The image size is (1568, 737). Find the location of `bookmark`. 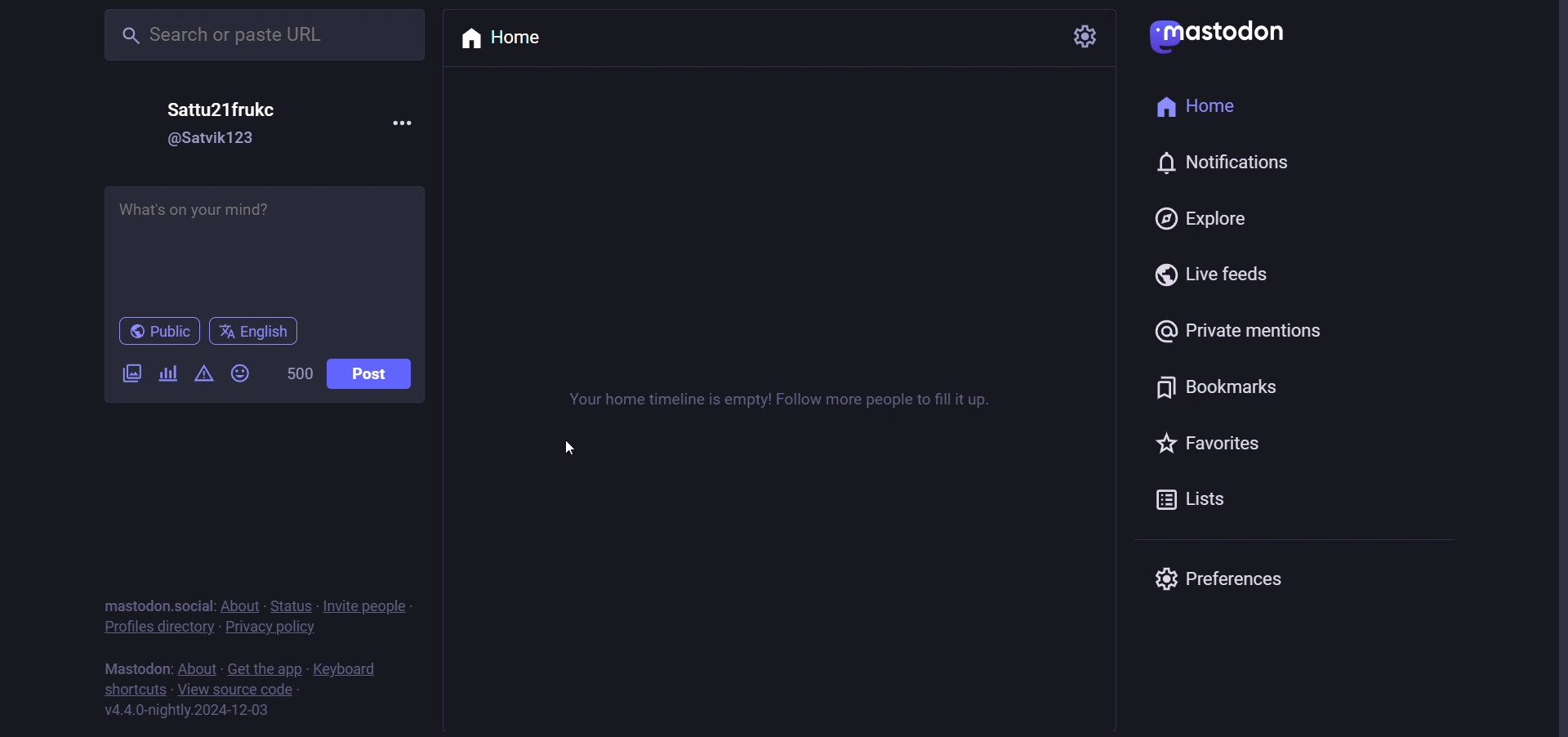

bookmark is located at coordinates (1219, 390).